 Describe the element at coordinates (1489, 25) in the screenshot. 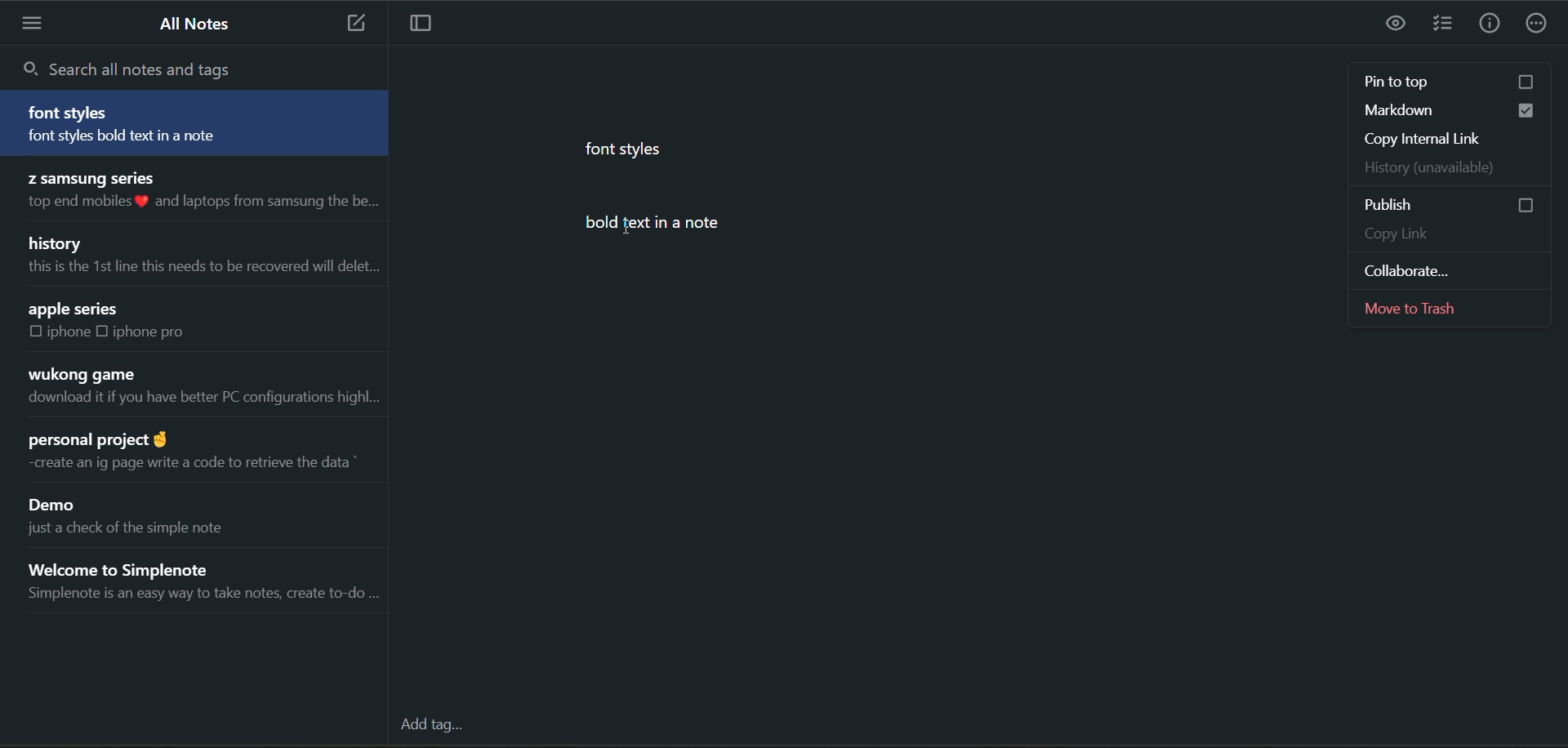

I see `info` at that location.